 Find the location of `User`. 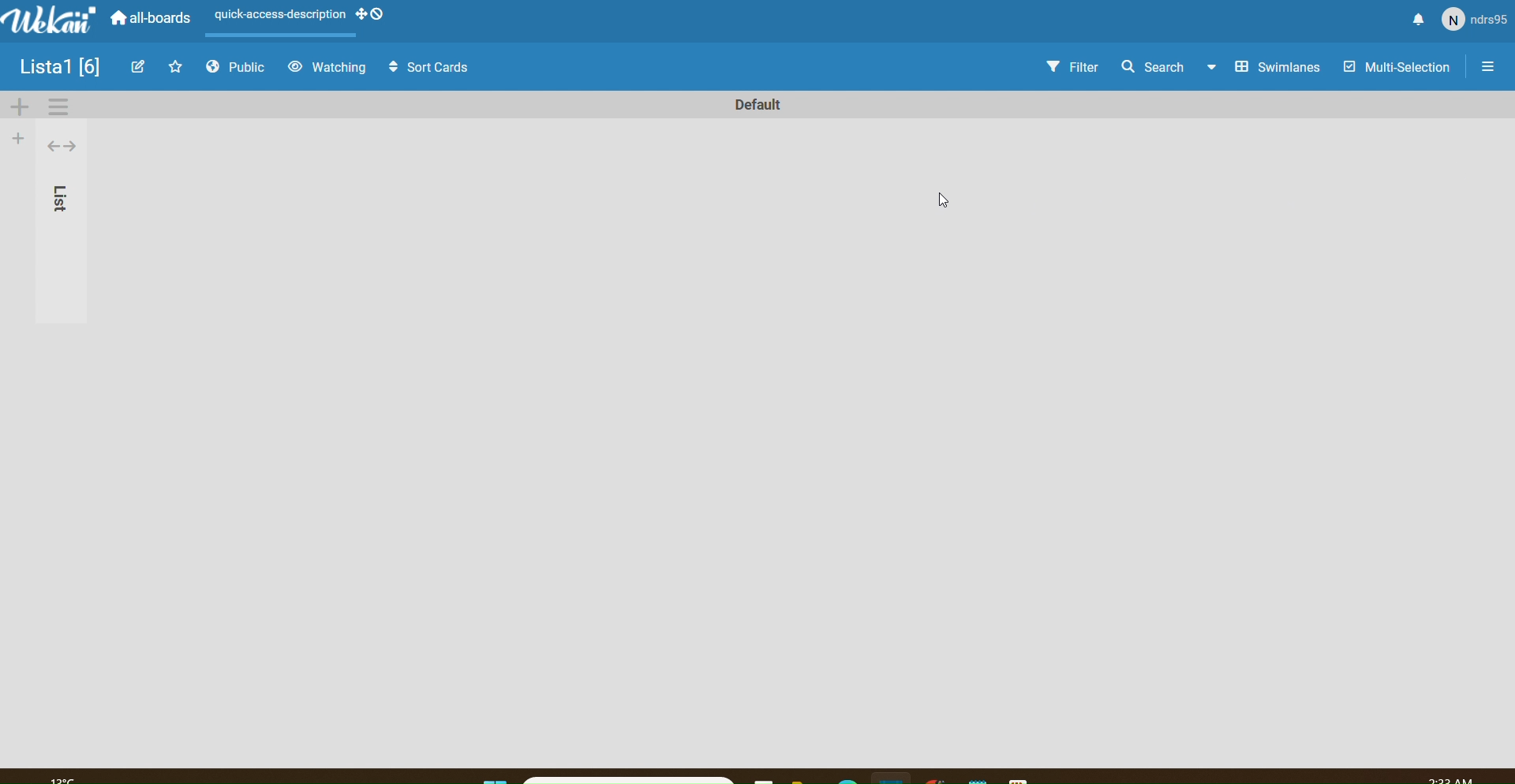

User is located at coordinates (1476, 21).